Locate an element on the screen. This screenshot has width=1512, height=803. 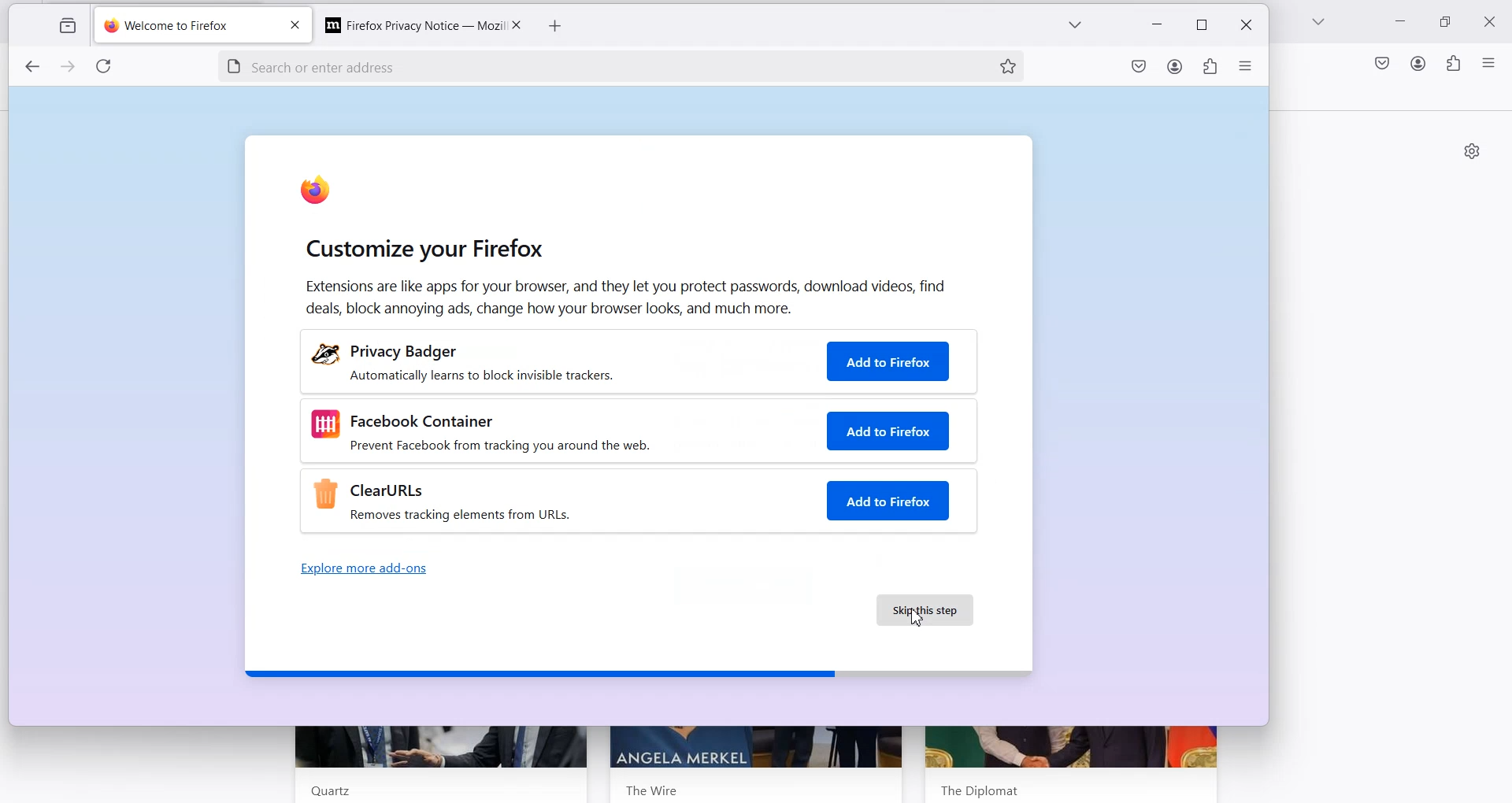
close is located at coordinates (294, 27).